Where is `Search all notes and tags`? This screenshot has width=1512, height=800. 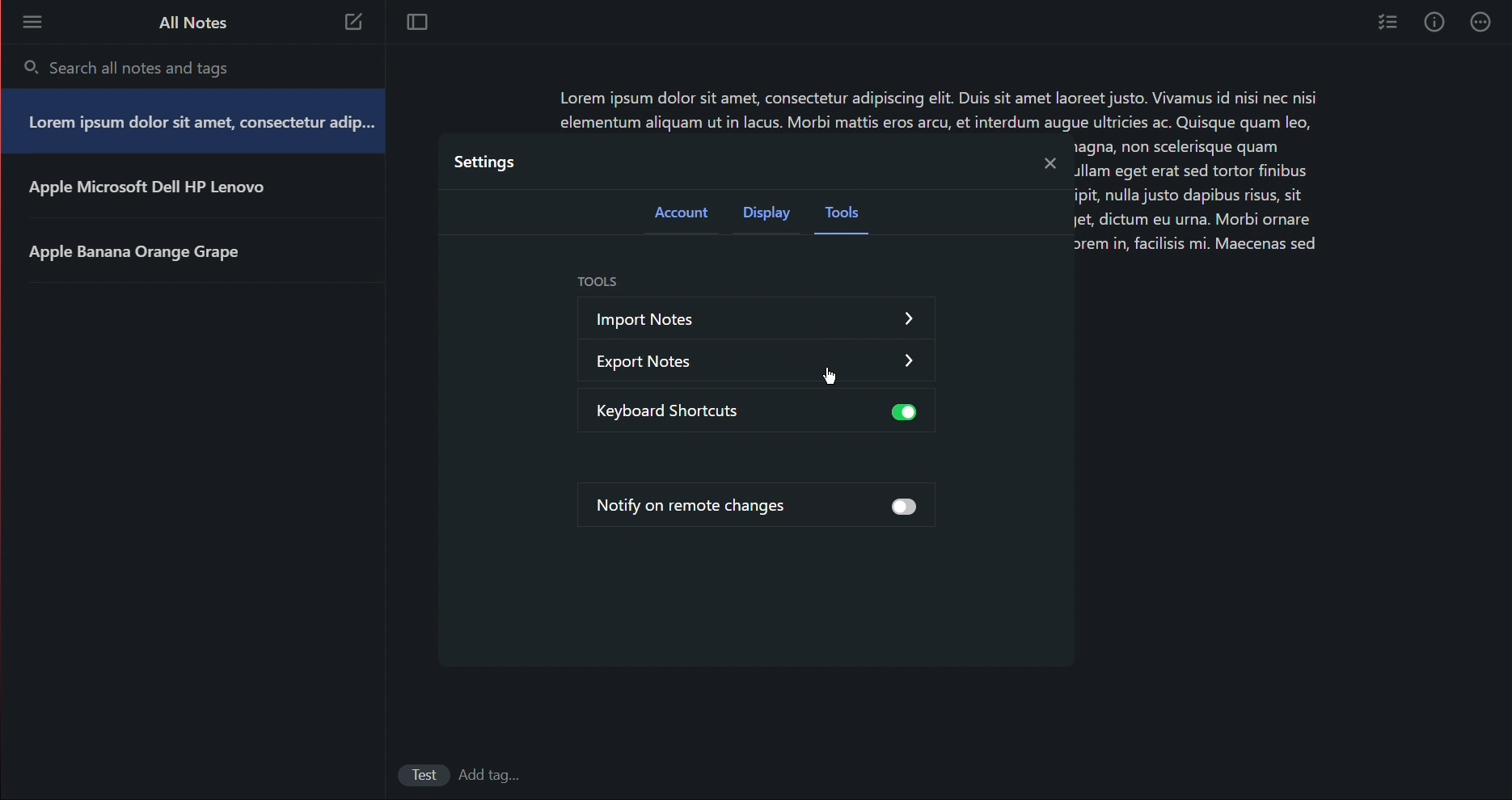 Search all notes and tags is located at coordinates (153, 64).